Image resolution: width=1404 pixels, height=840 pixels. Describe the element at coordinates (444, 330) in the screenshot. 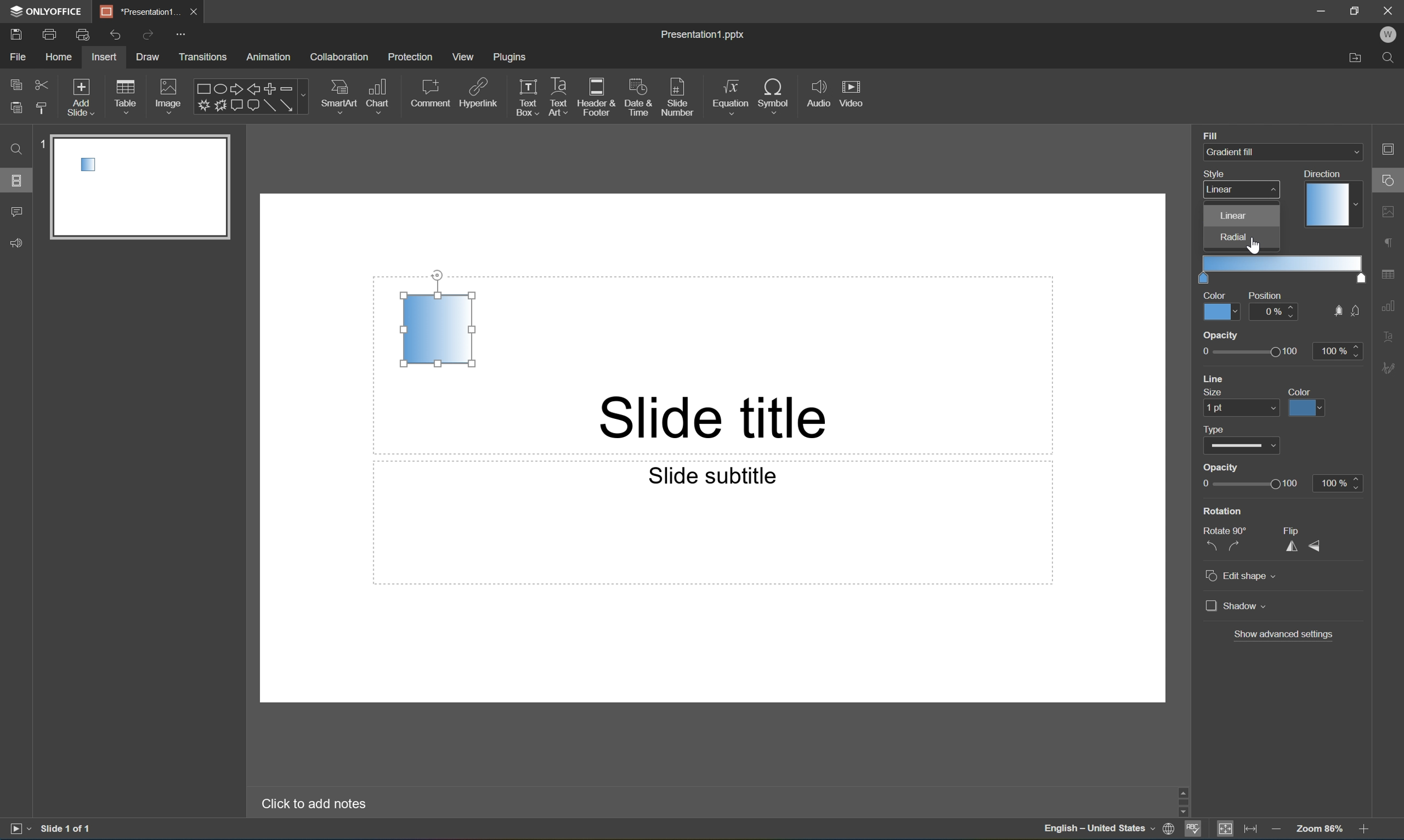

I see `Rectangle` at that location.